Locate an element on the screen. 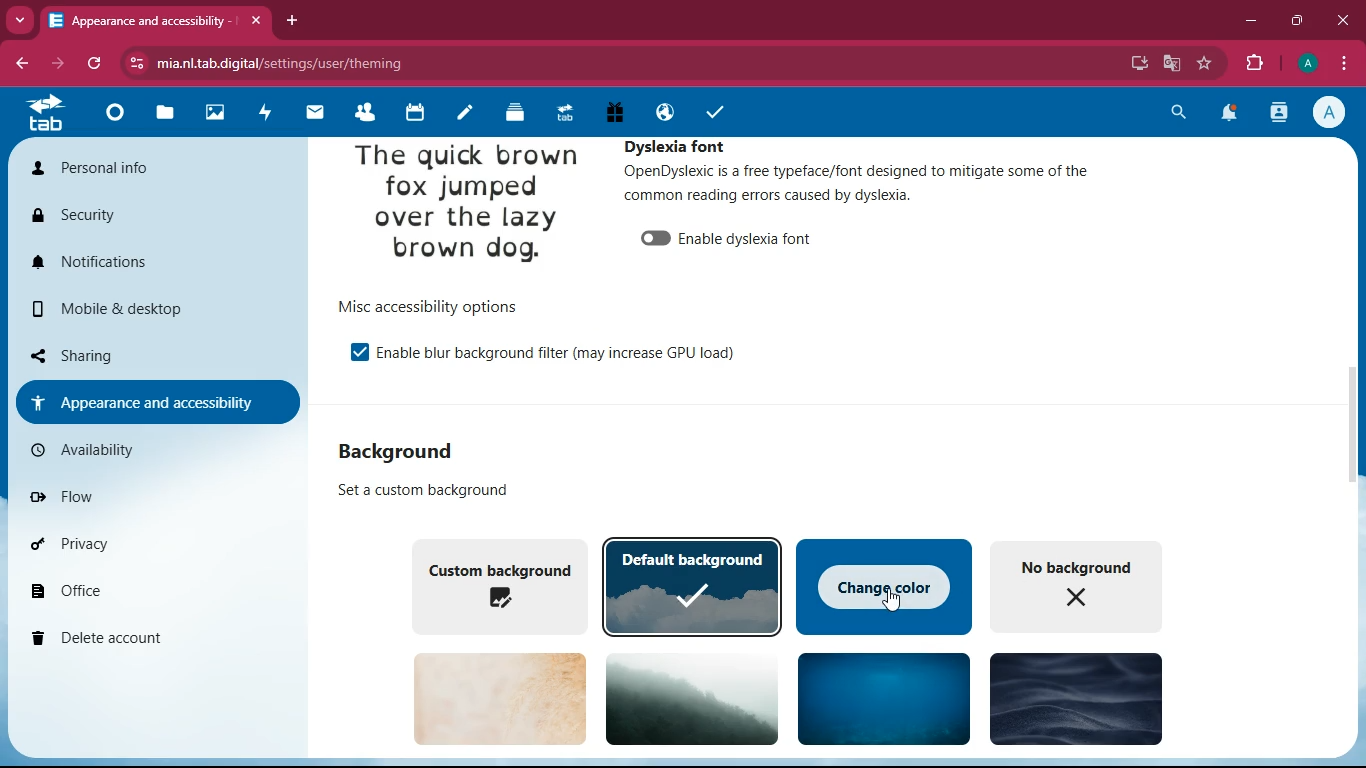 The height and width of the screenshot is (768, 1366). more is located at coordinates (20, 19).